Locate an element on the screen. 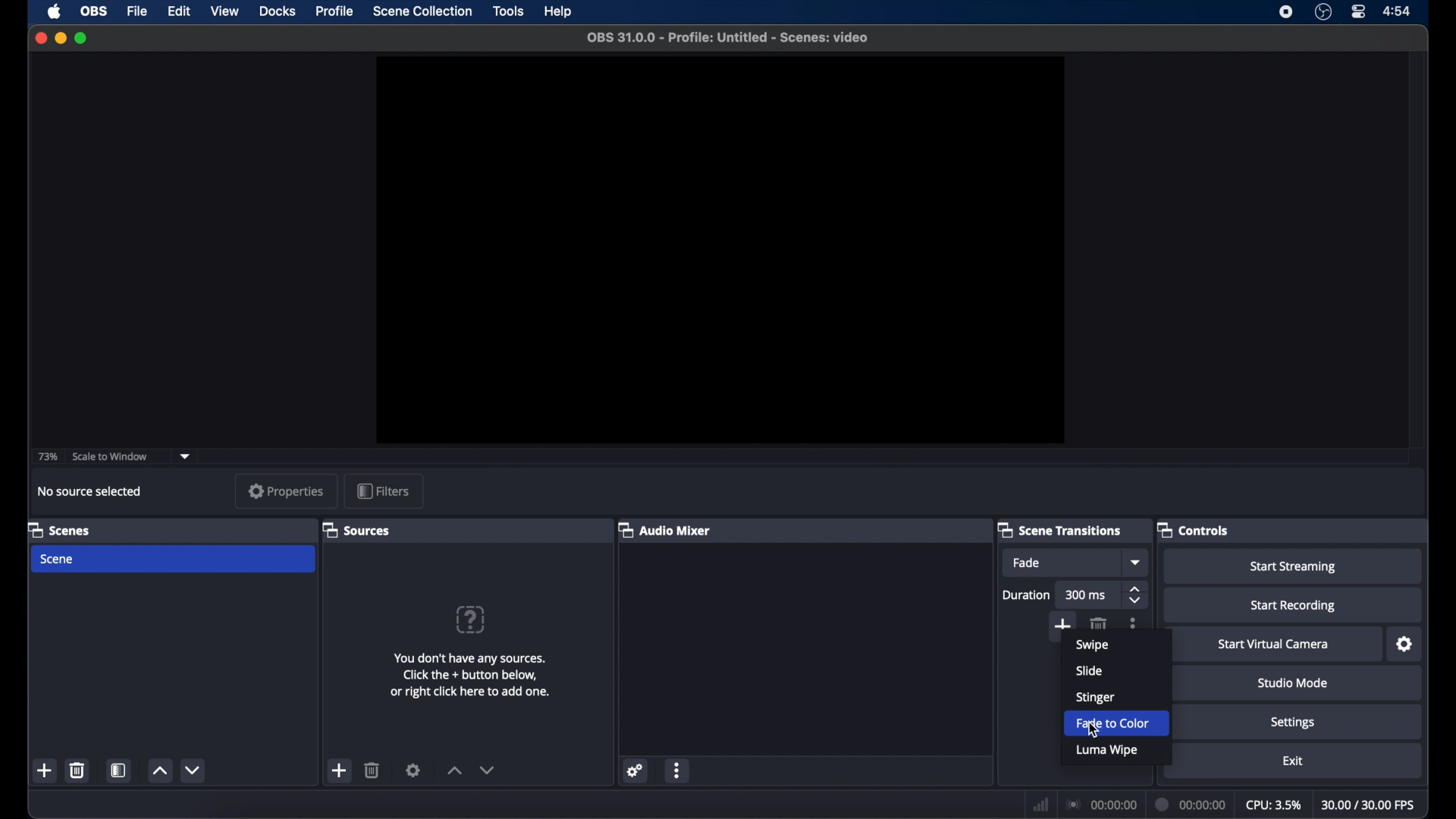 This screenshot has width=1456, height=819. scene collection is located at coordinates (422, 11).